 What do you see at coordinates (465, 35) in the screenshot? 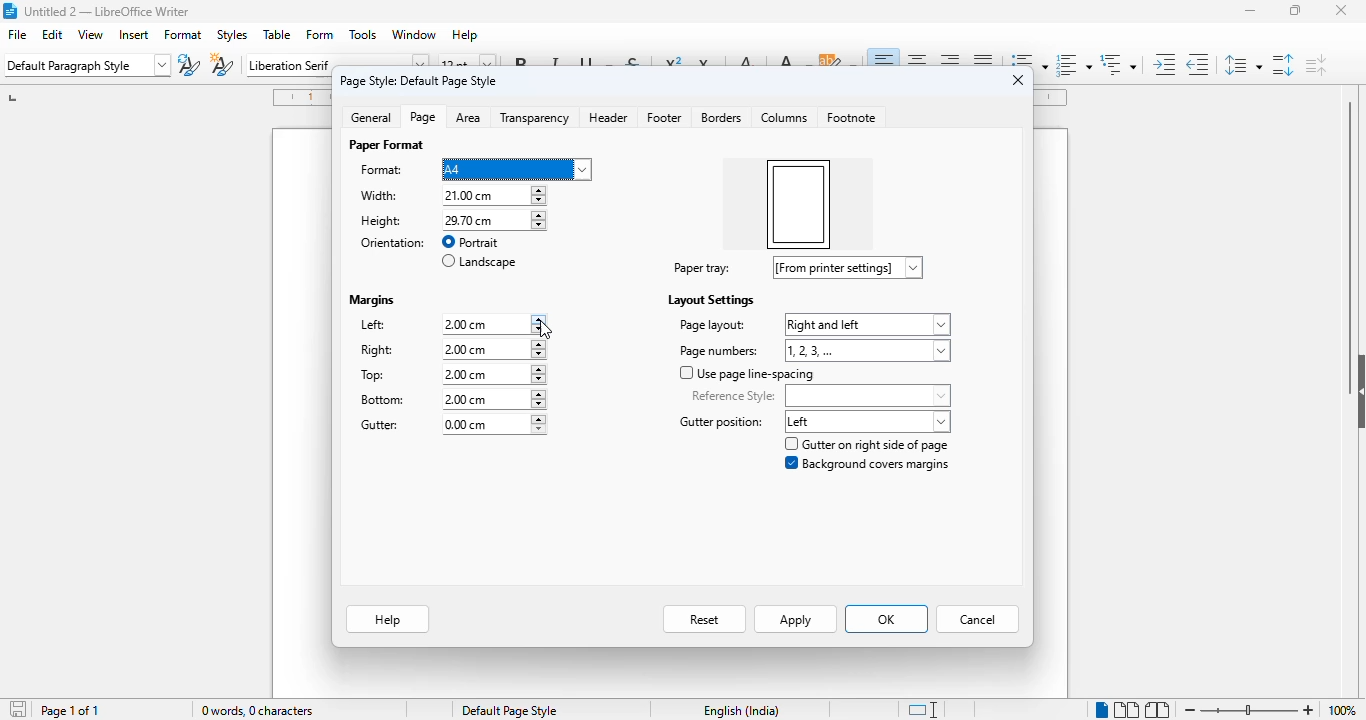
I see `help` at bounding box center [465, 35].